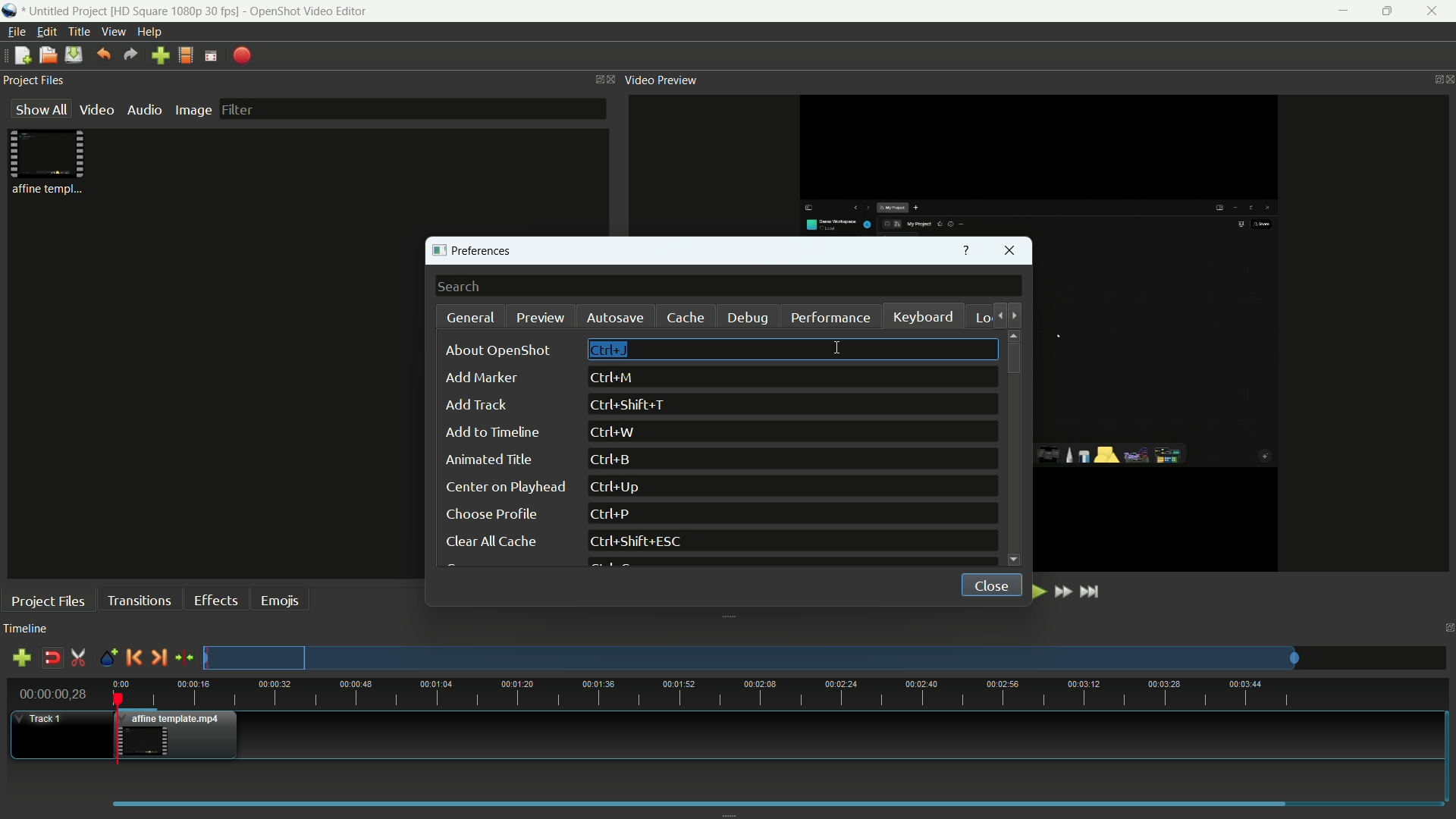  What do you see at coordinates (1447, 80) in the screenshot?
I see `close video preview` at bounding box center [1447, 80].